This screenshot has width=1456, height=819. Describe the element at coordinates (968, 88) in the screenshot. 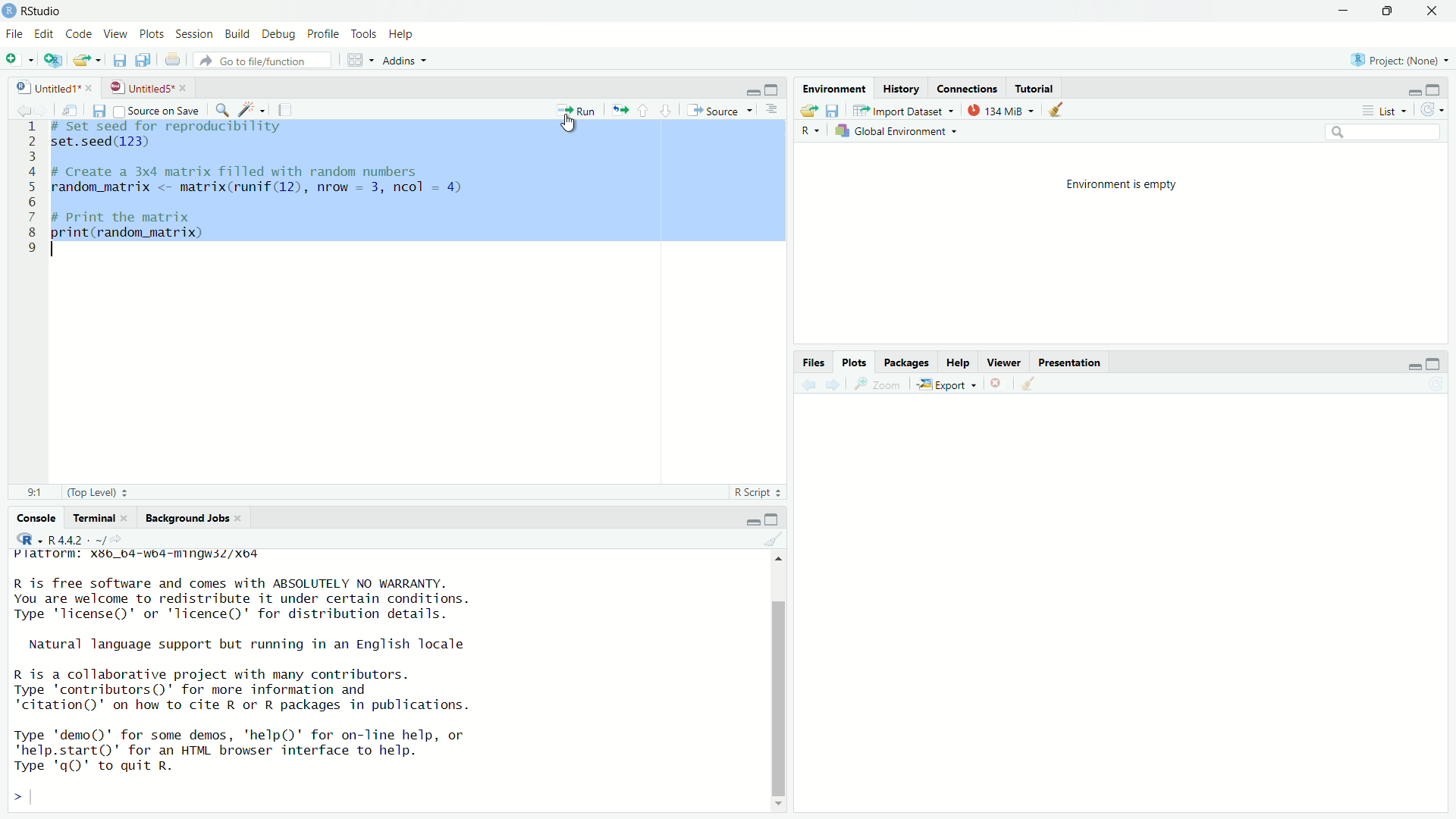

I see `Connections` at that location.